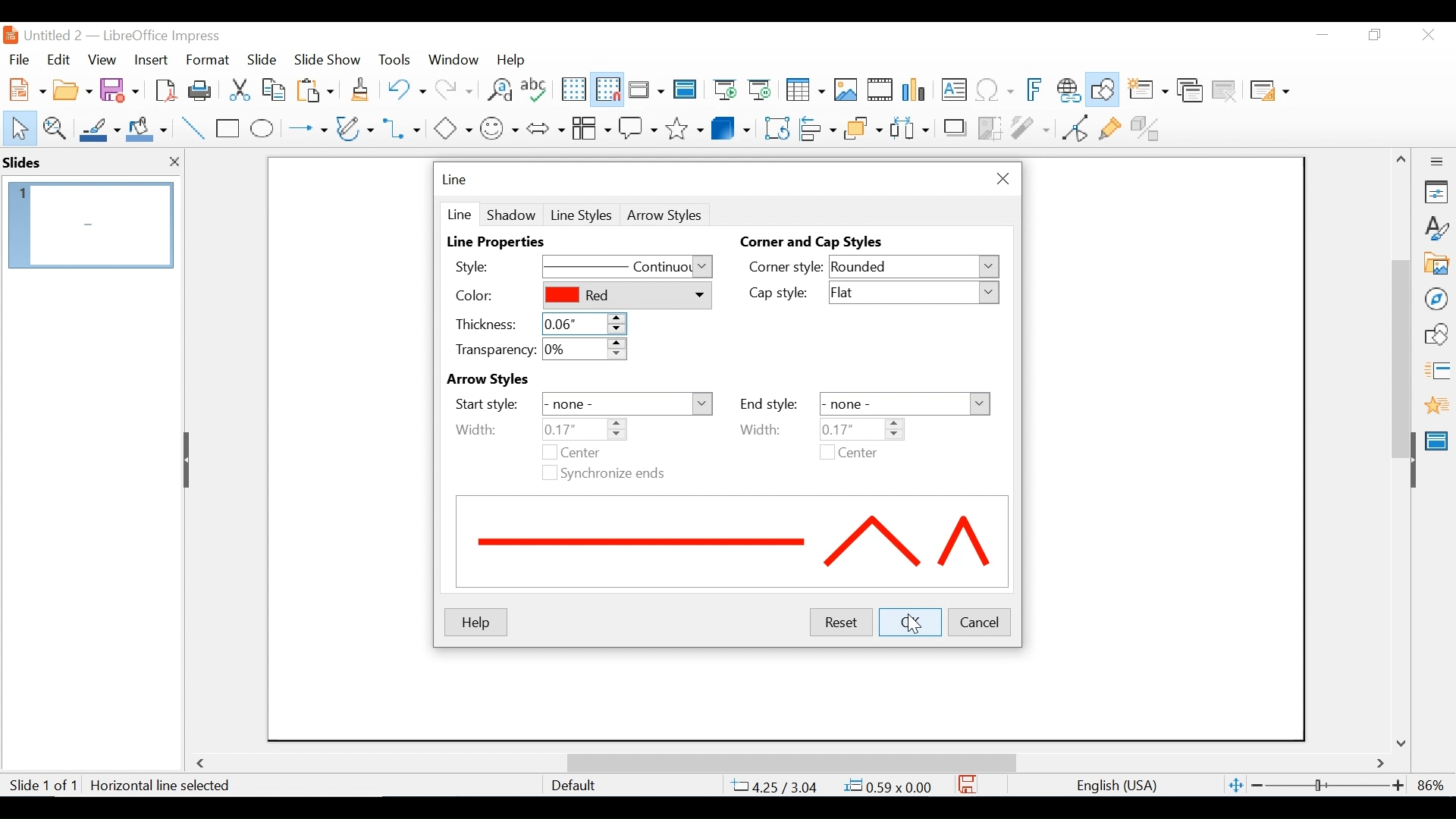  What do you see at coordinates (990, 127) in the screenshot?
I see `Crop Image` at bounding box center [990, 127].